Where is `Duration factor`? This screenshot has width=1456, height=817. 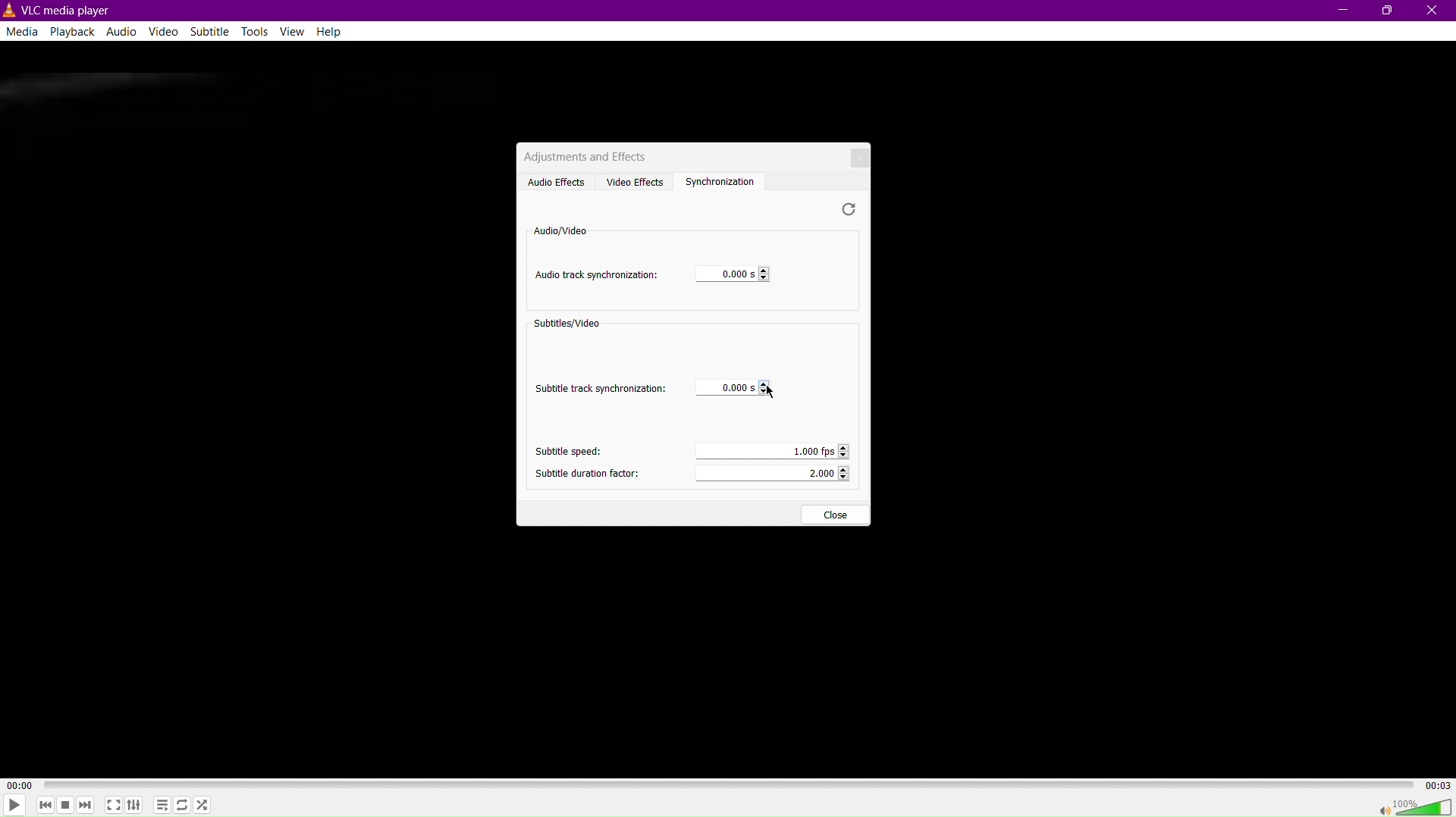
Duration factor is located at coordinates (774, 474).